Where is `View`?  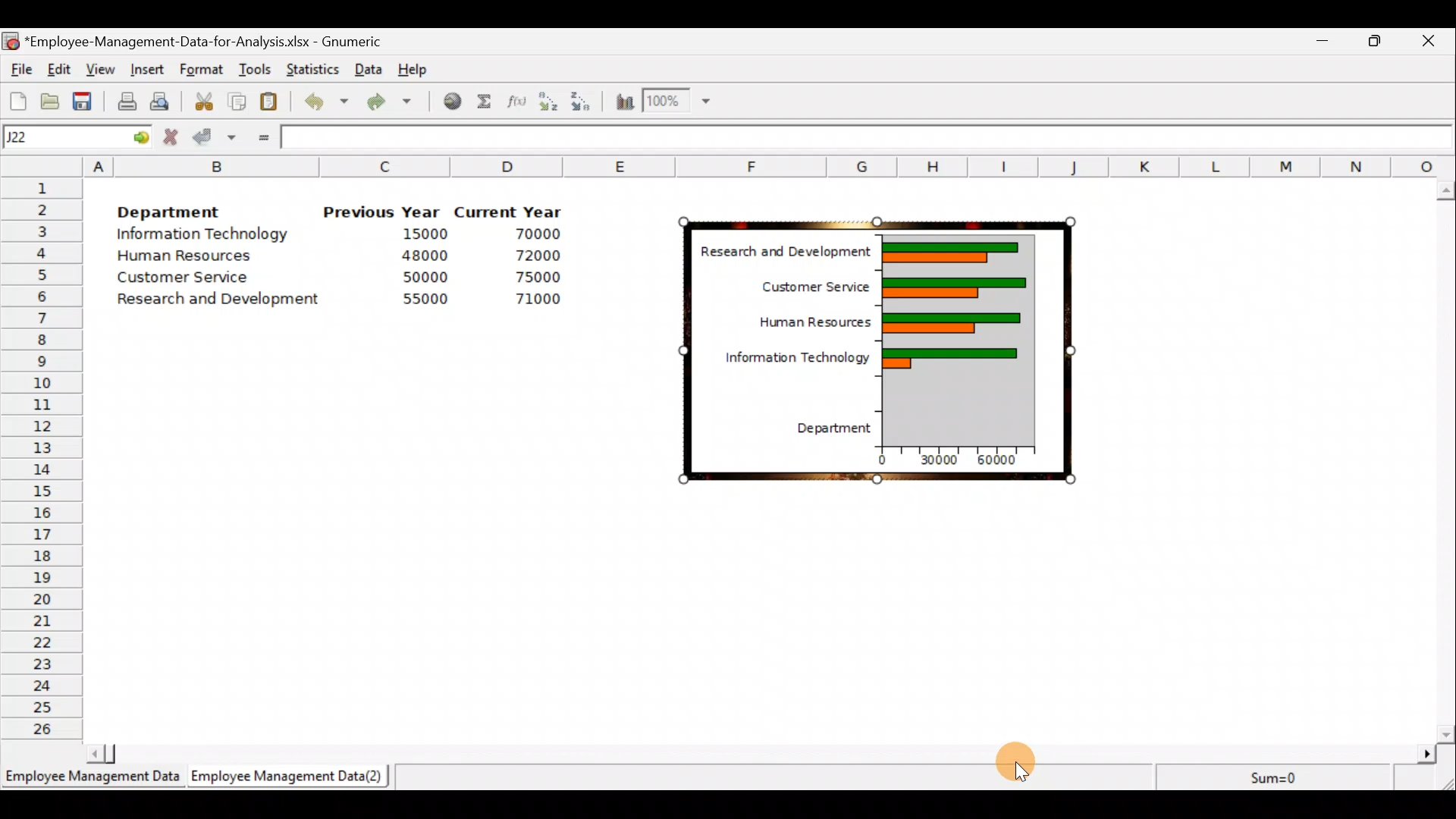
View is located at coordinates (101, 68).